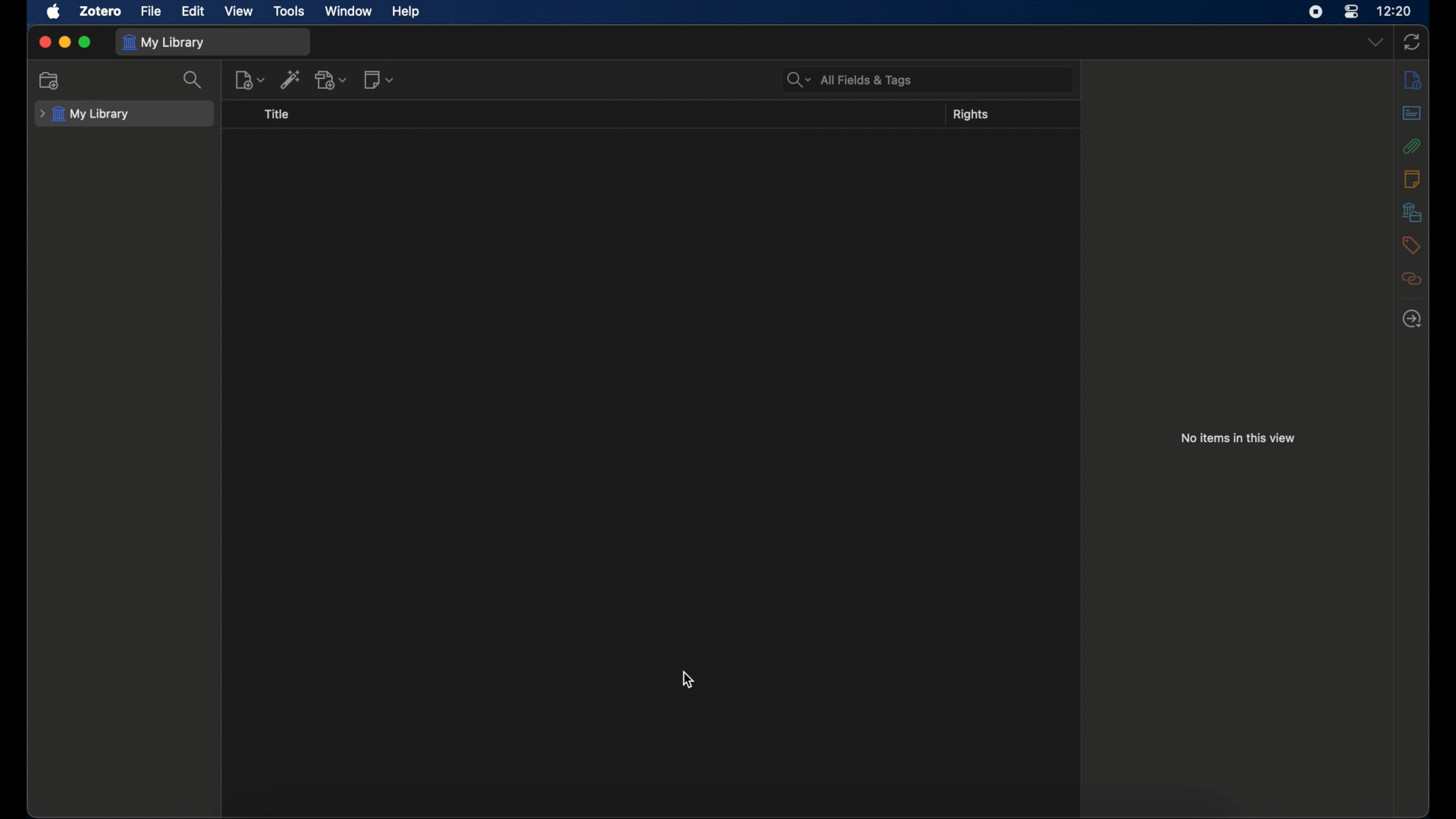  Describe the element at coordinates (1412, 178) in the screenshot. I see `notes` at that location.